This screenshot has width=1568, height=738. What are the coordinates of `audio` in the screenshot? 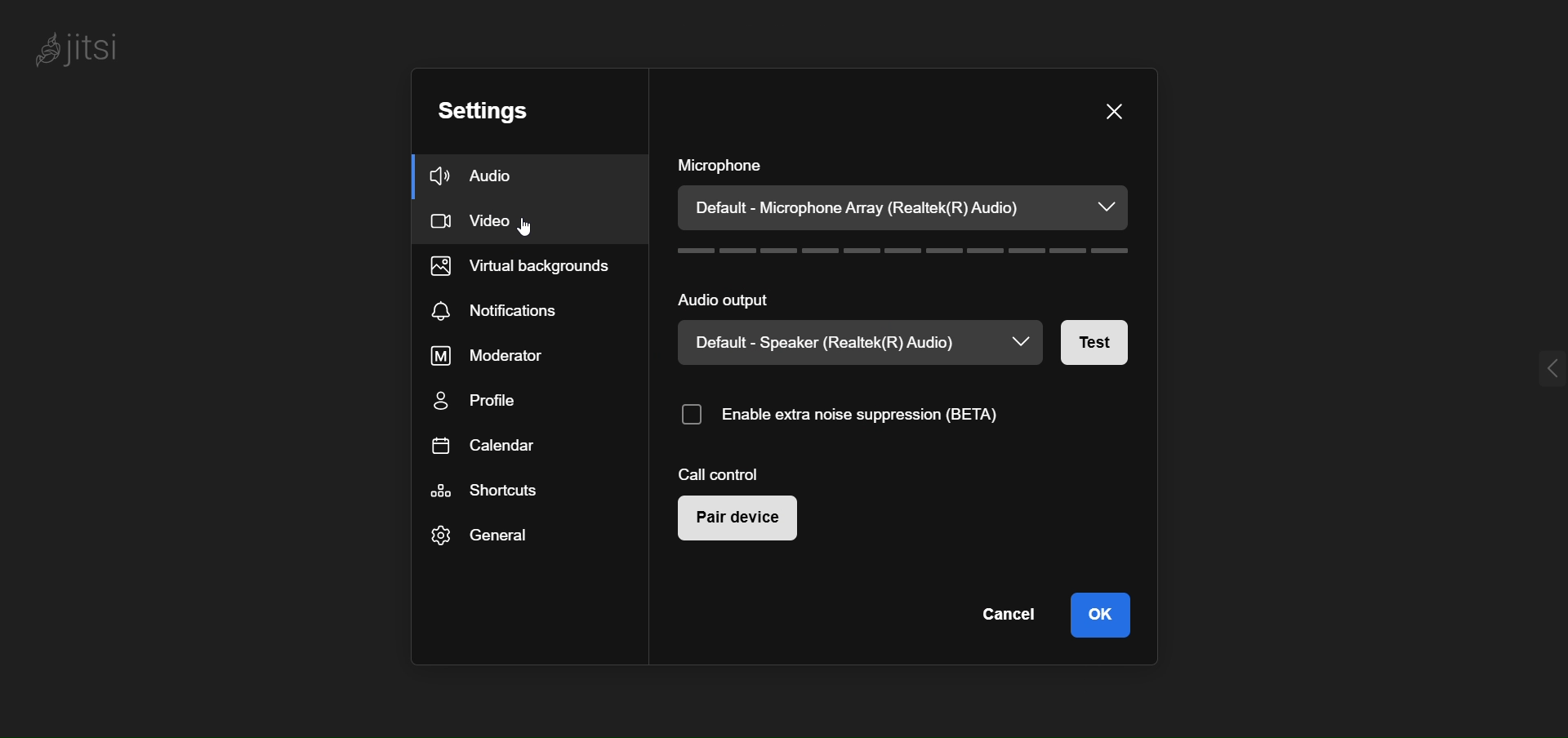 It's located at (501, 178).